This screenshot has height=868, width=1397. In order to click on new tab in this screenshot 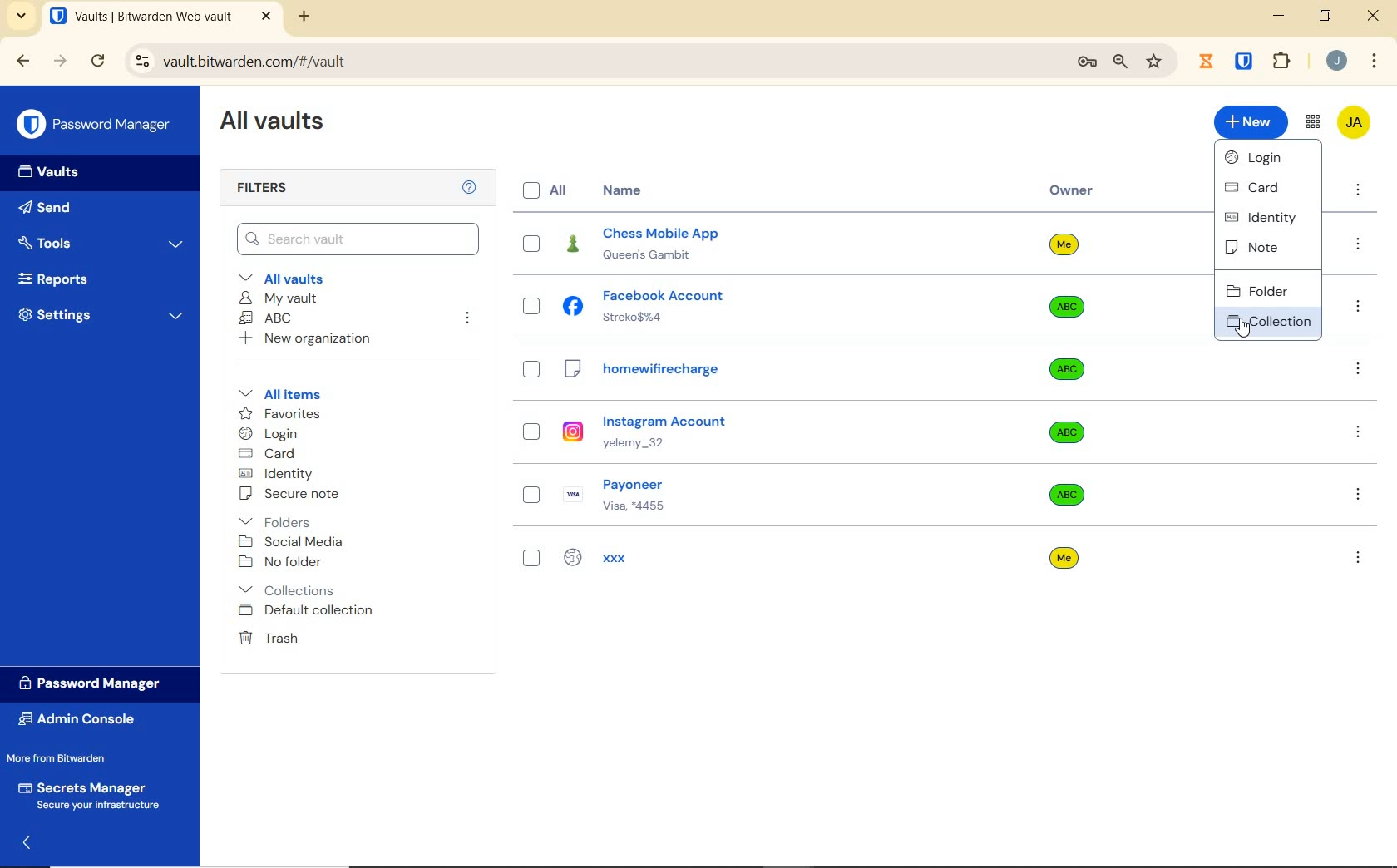, I will do `click(304, 18)`.